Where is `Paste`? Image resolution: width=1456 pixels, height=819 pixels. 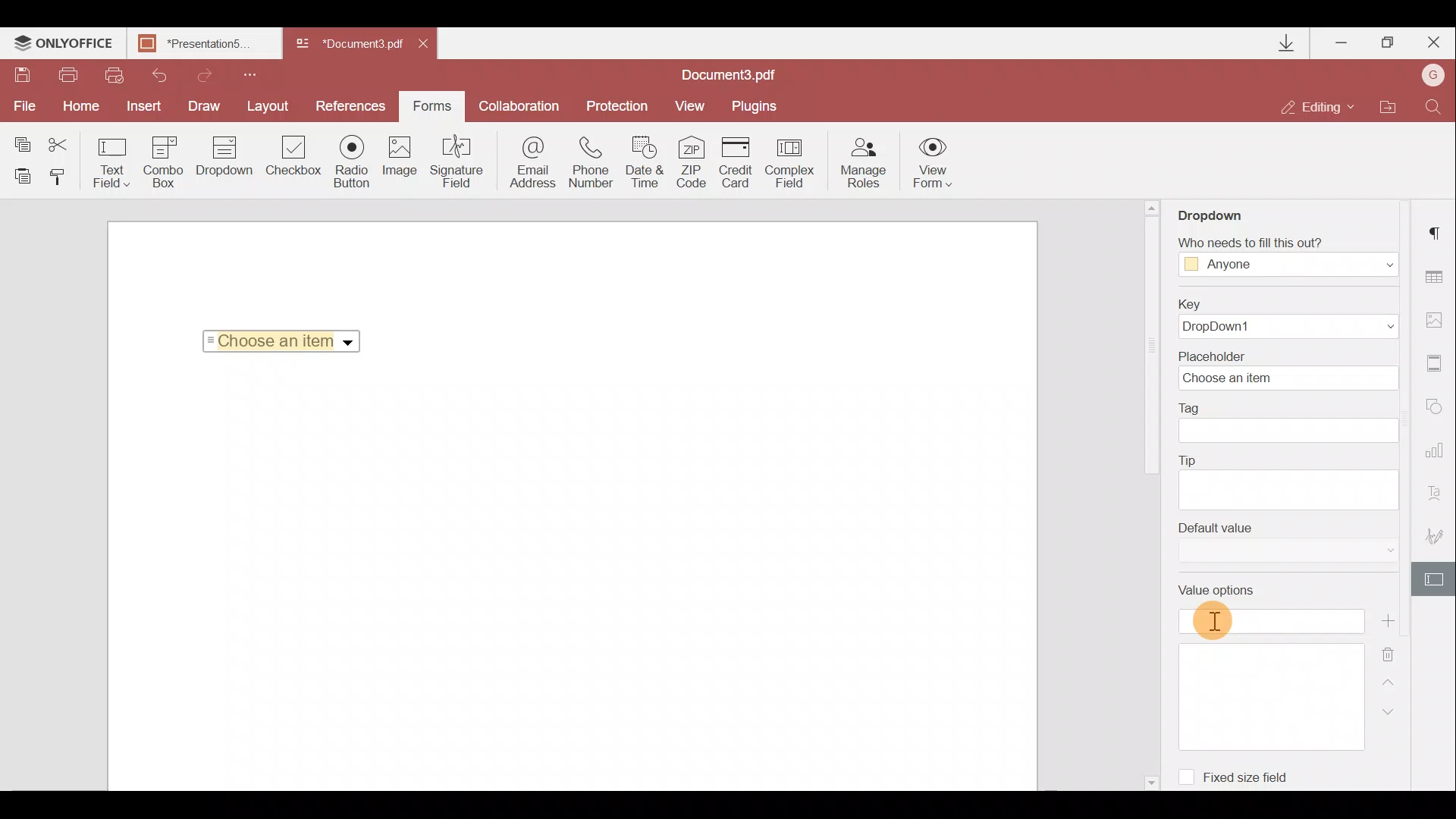
Paste is located at coordinates (23, 175).